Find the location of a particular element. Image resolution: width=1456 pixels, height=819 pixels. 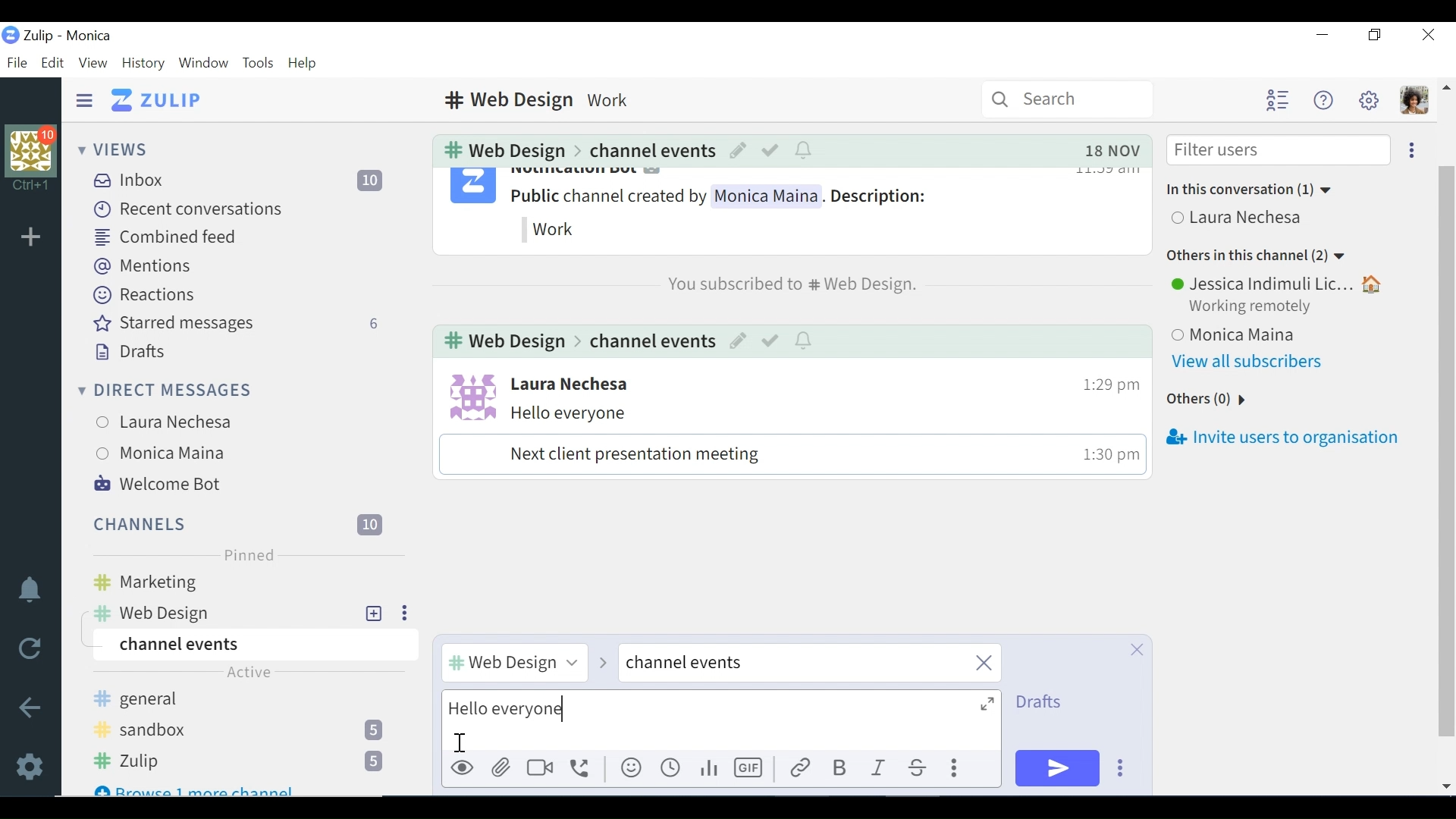

sandbox Channel is located at coordinates (245, 732).